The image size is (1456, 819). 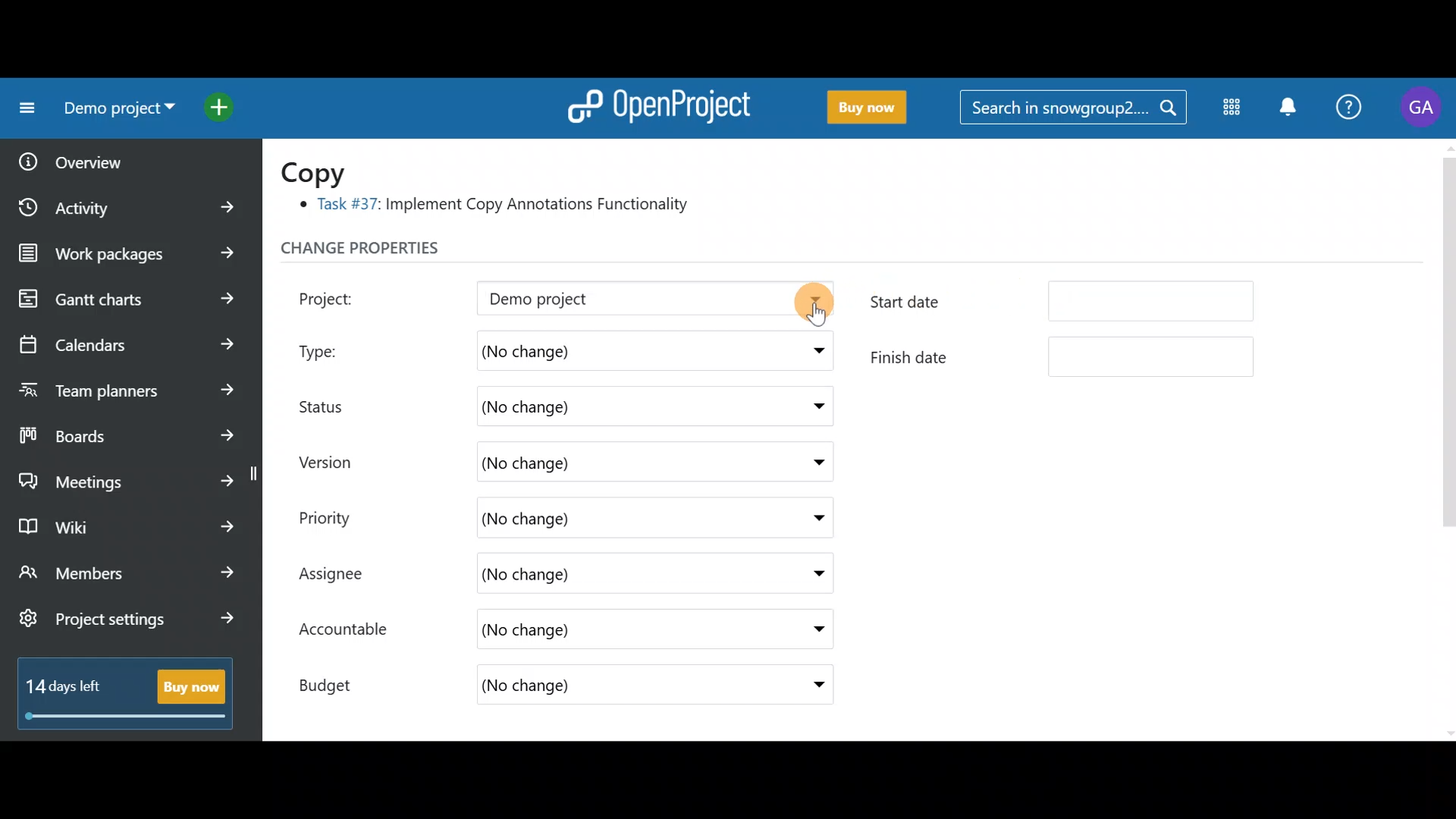 I want to click on Overview, so click(x=115, y=157).